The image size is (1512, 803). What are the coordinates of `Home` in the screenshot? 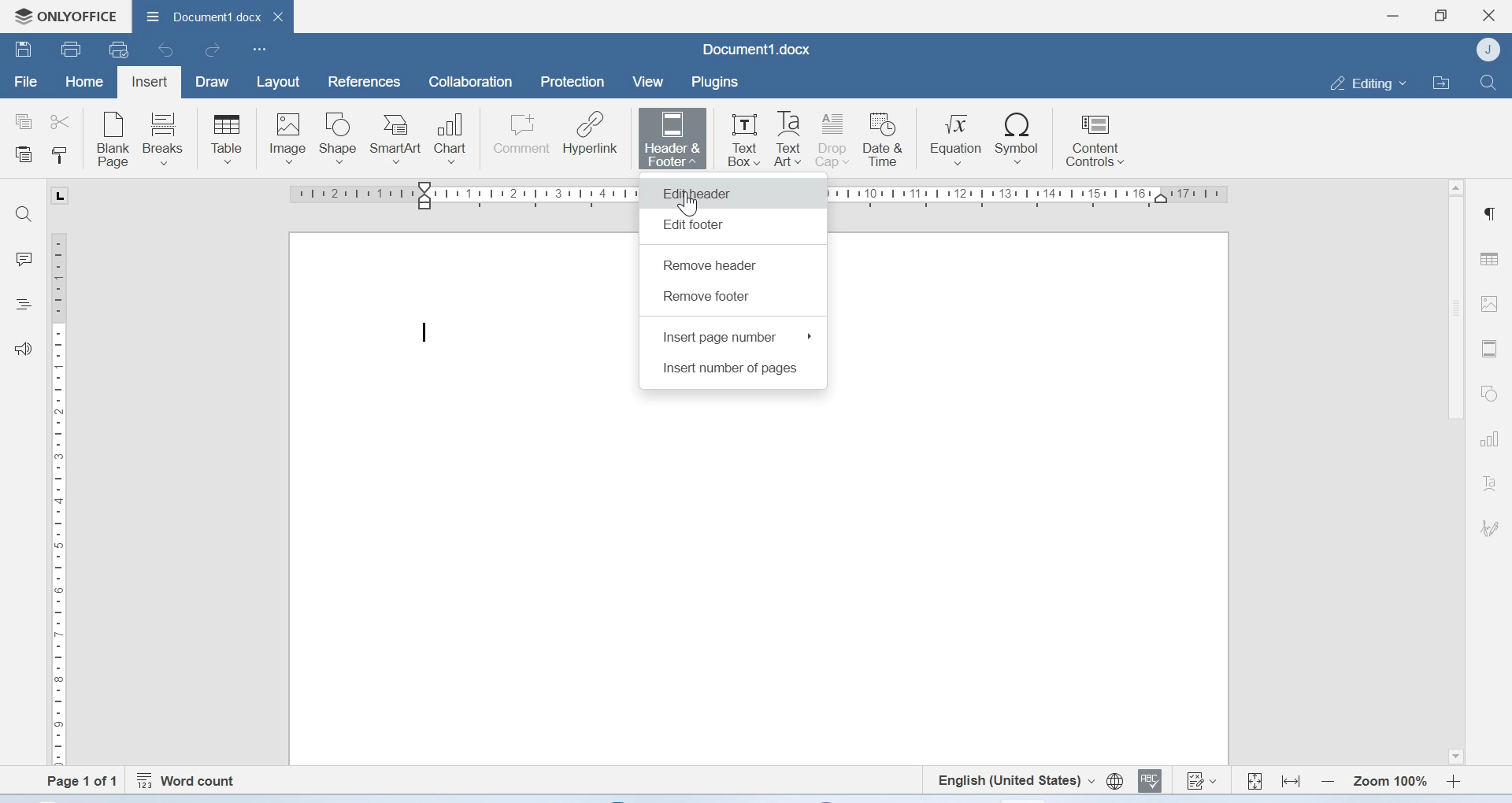 It's located at (85, 83).